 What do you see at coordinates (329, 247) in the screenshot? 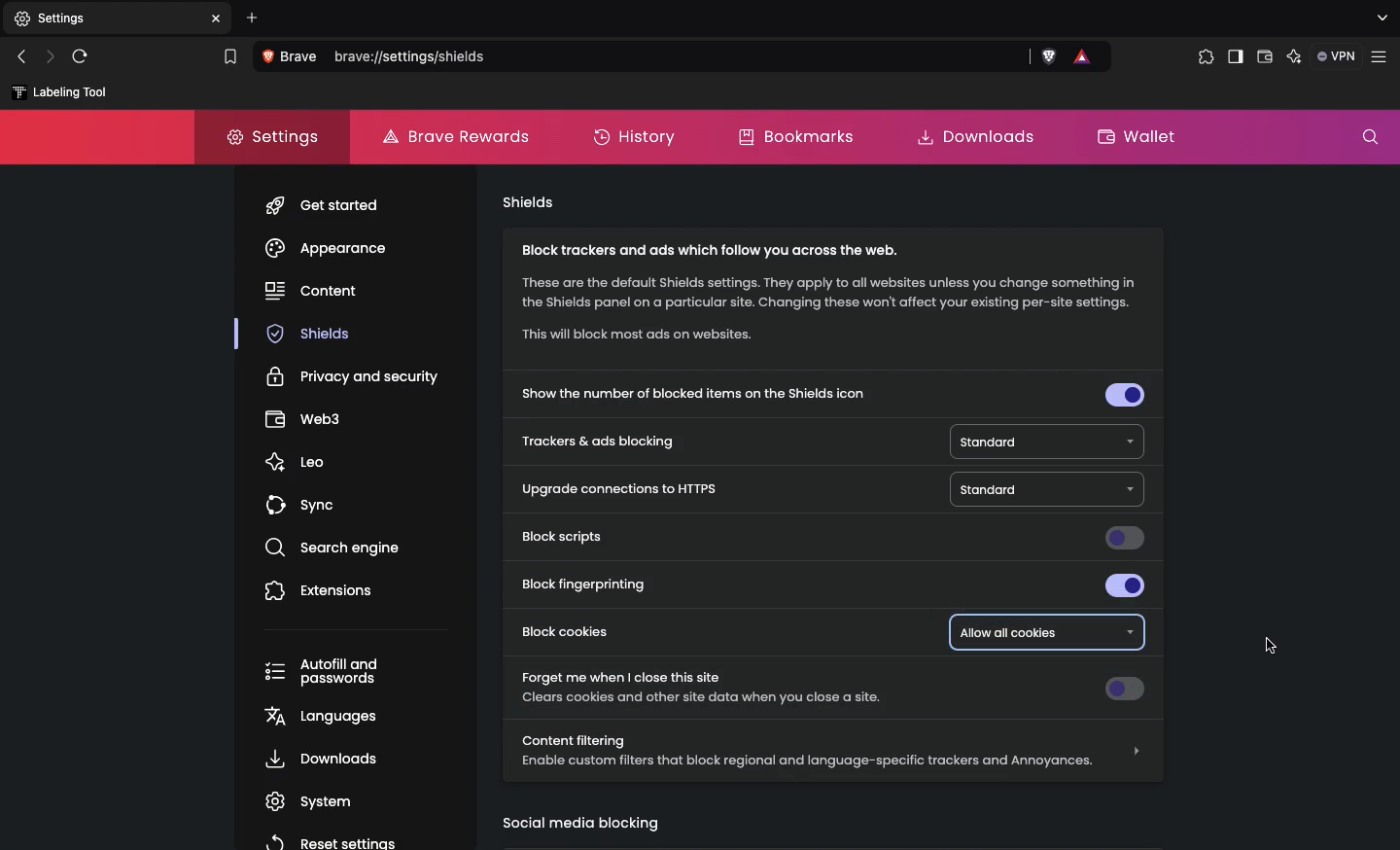
I see `Appearance` at bounding box center [329, 247].